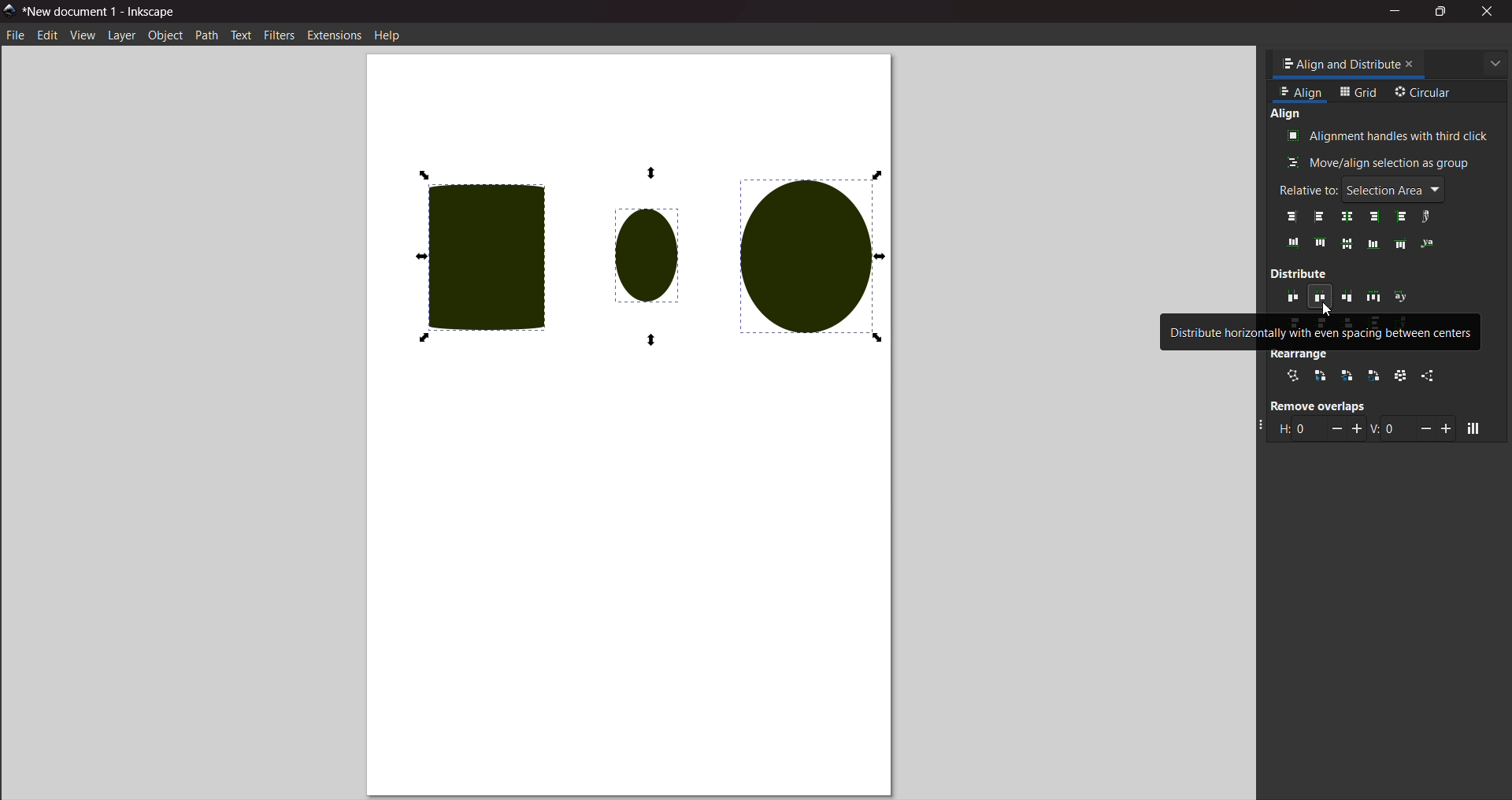 The width and height of the screenshot is (1512, 800). I want to click on move/align as group, so click(1380, 165).